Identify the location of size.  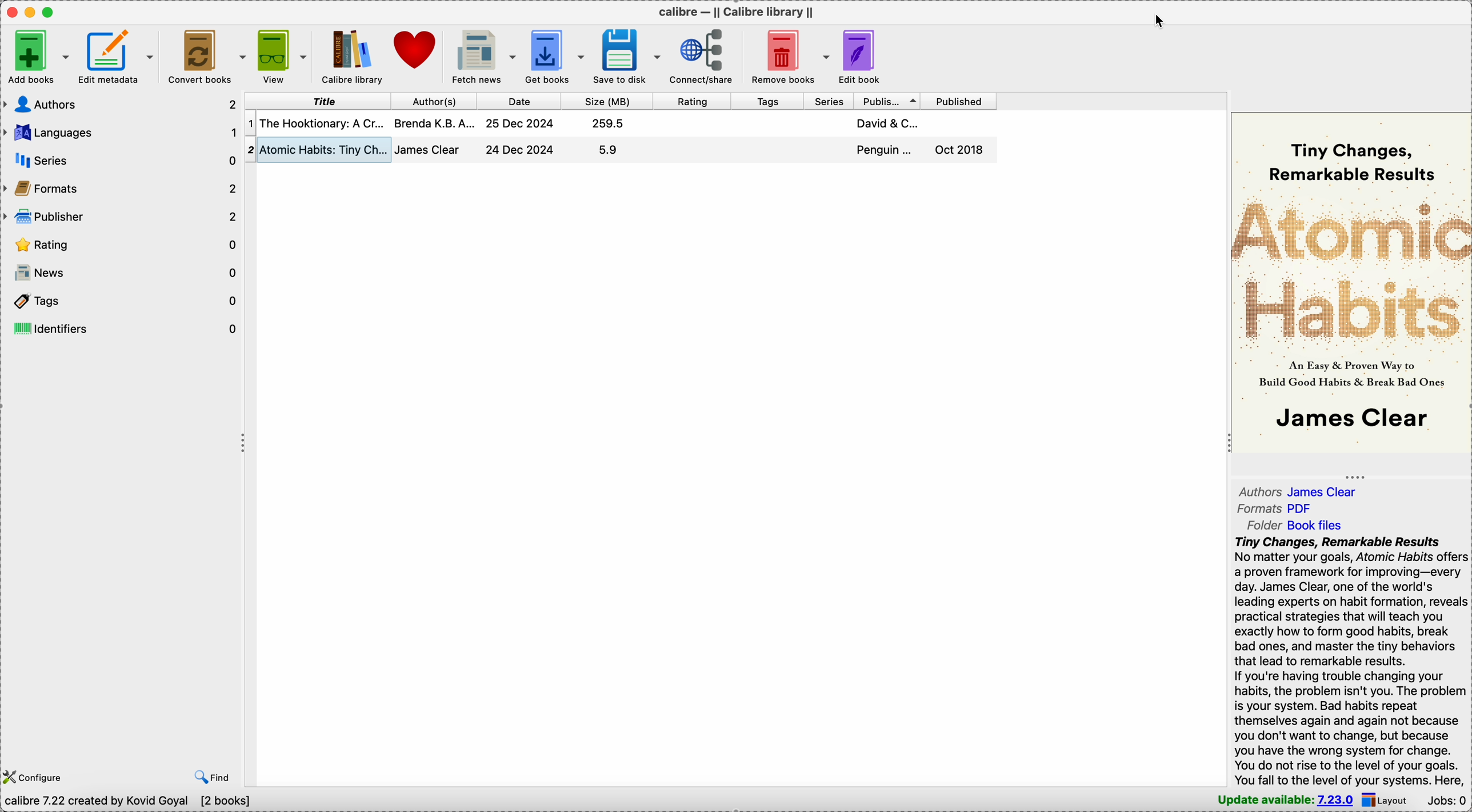
(609, 102).